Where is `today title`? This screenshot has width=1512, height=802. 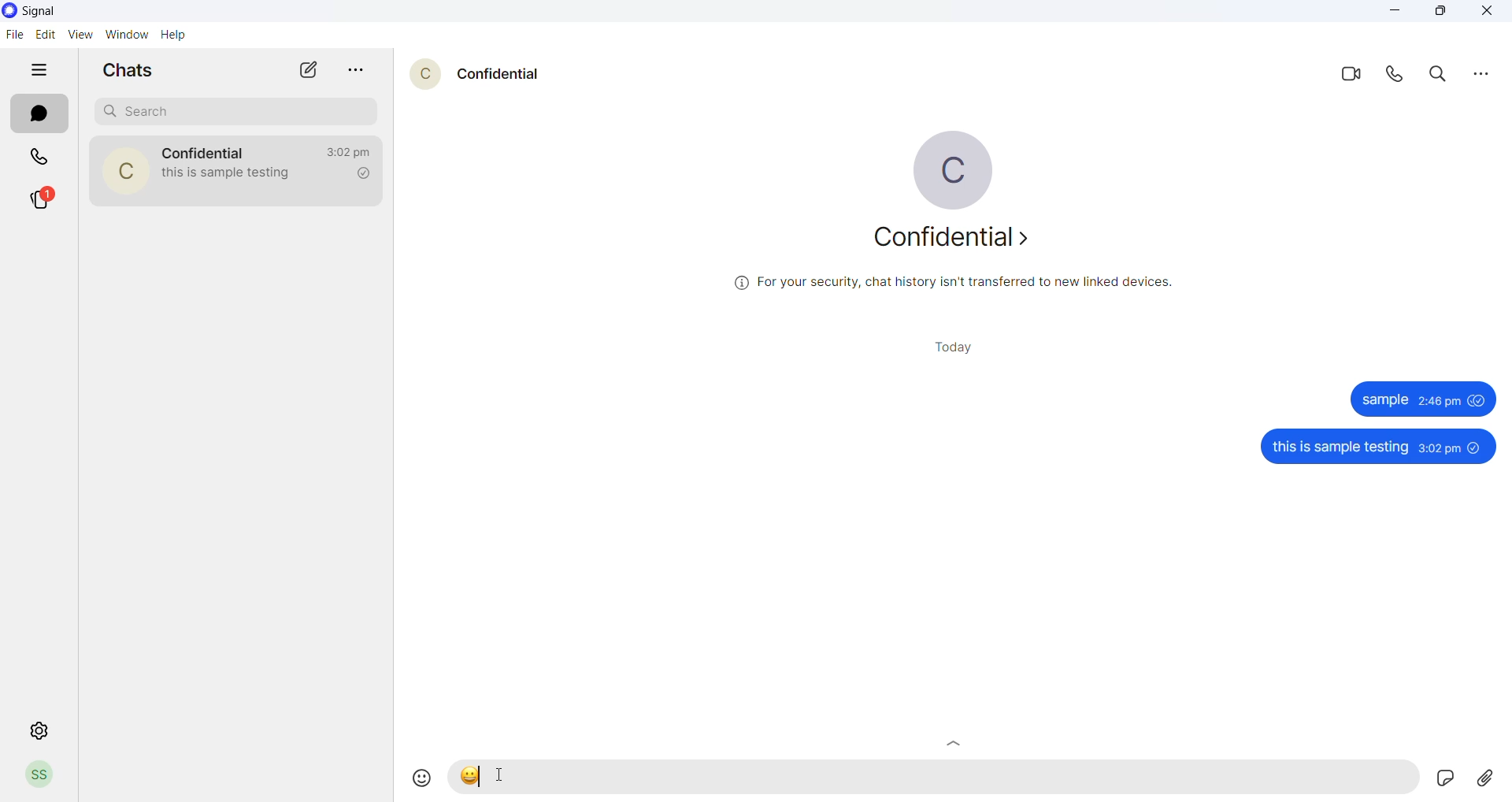 today title is located at coordinates (957, 347).